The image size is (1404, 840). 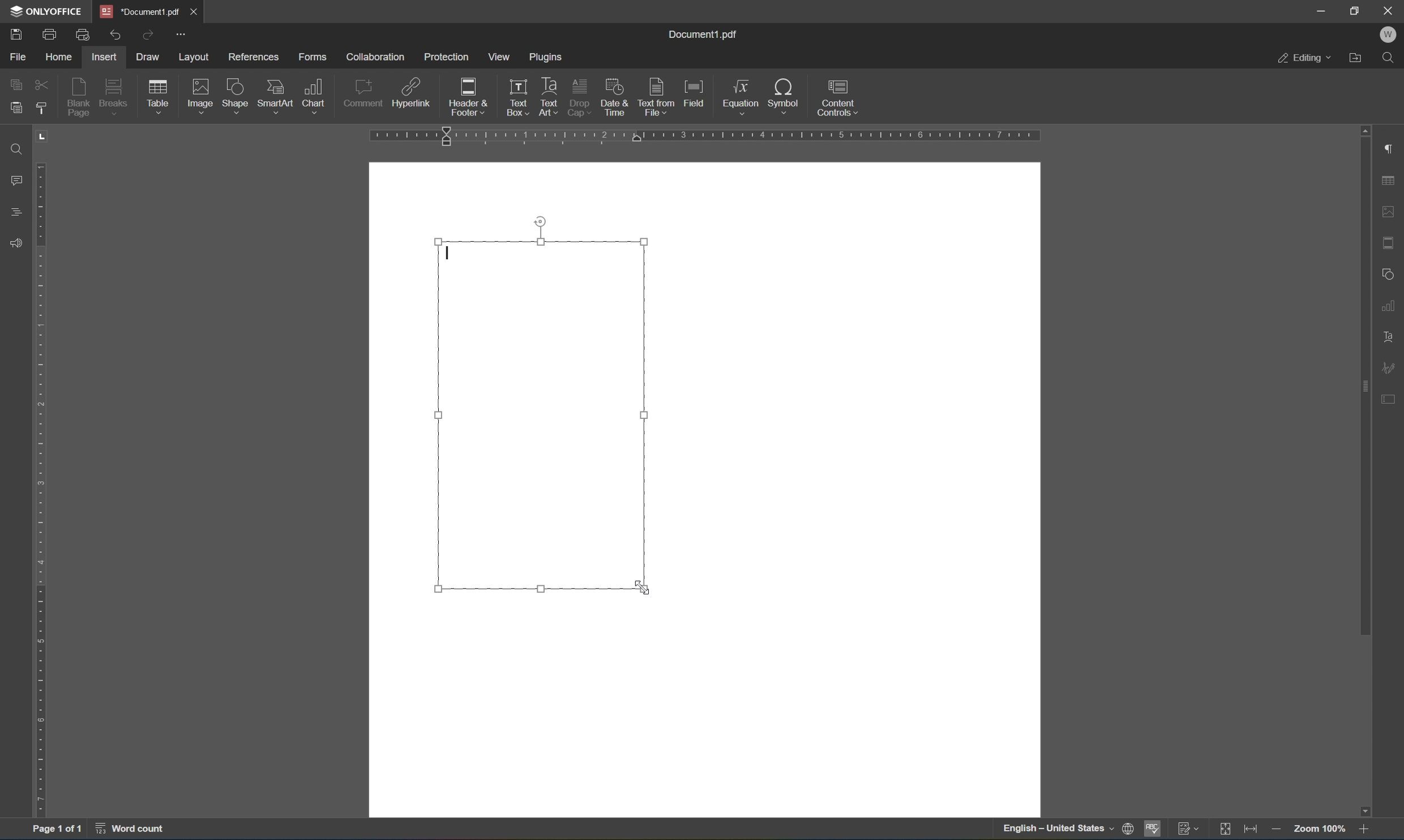 I want to click on paste, so click(x=13, y=109).